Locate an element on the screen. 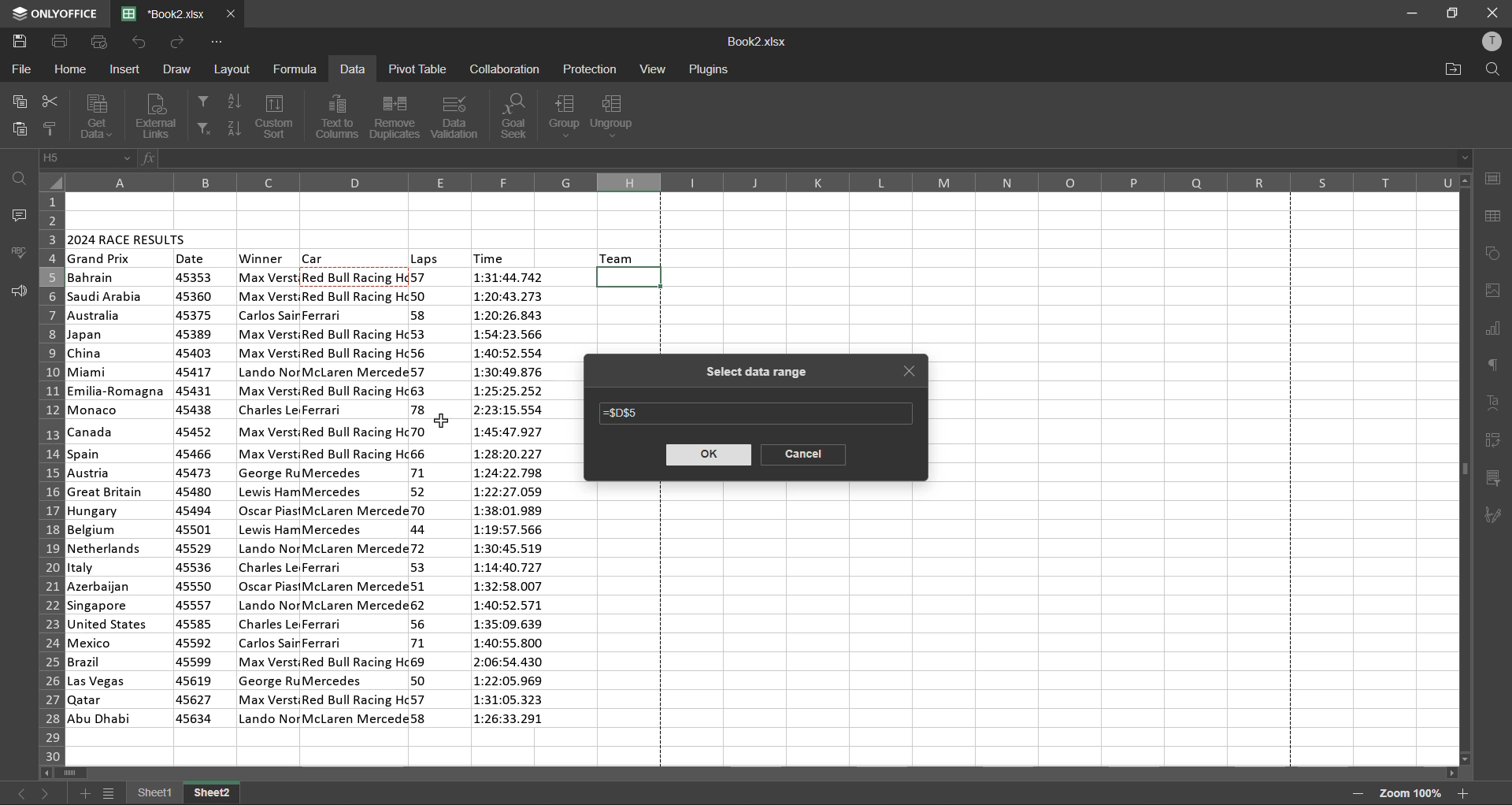  scrollbar is located at coordinates (751, 775).